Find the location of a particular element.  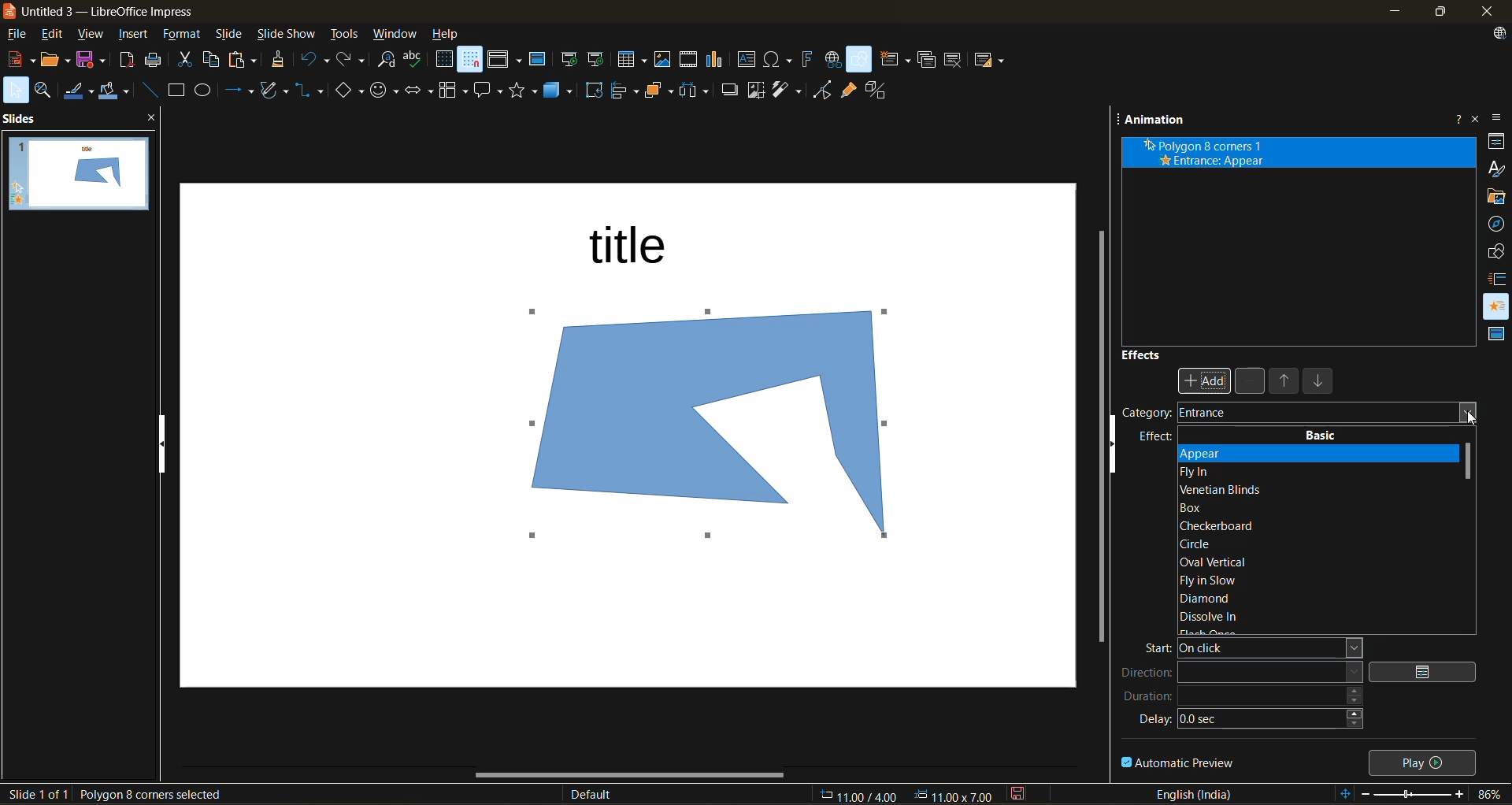

call out shapes is located at coordinates (491, 91).